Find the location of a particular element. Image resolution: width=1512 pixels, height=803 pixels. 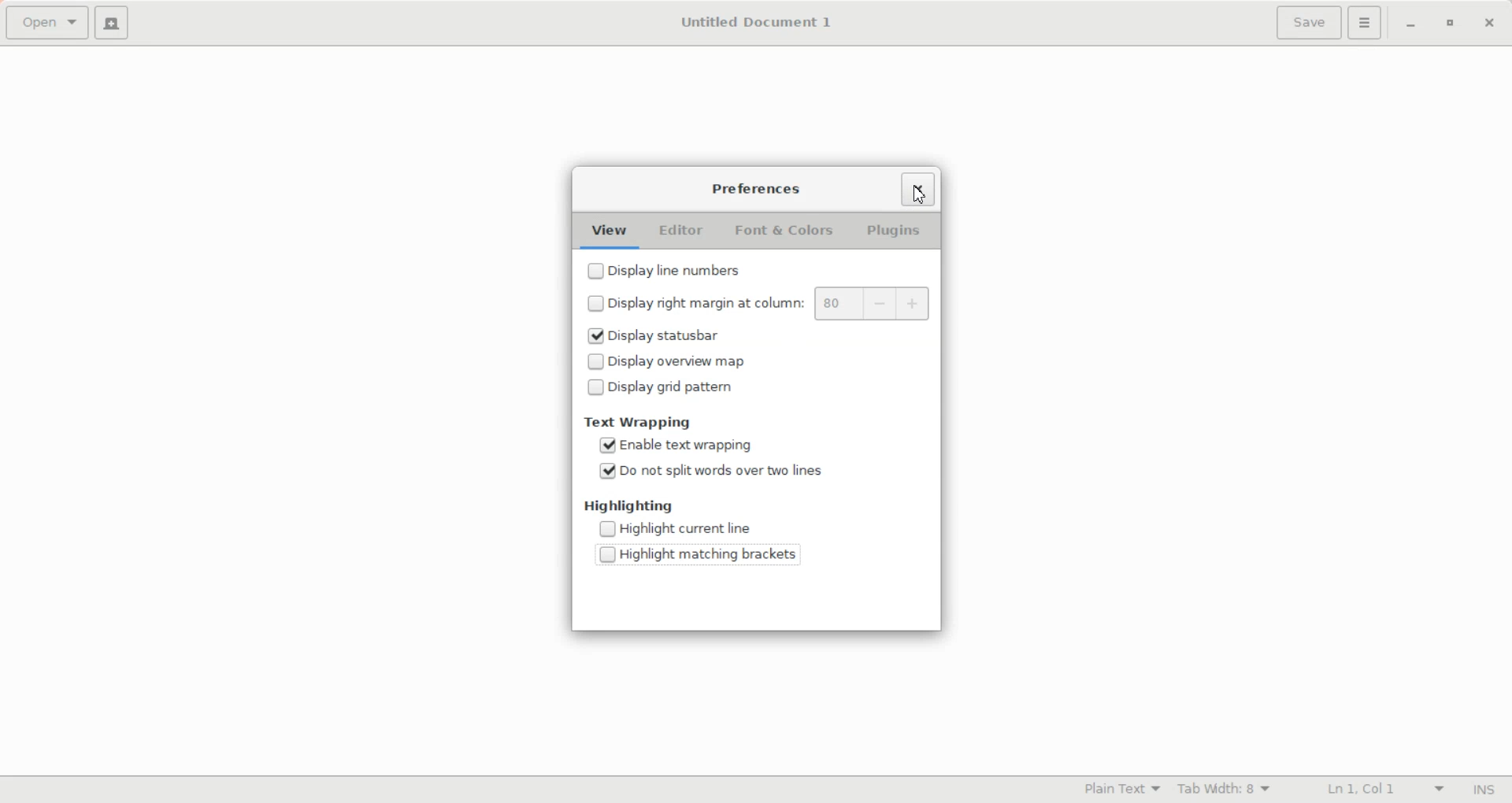

Plugins is located at coordinates (891, 231).